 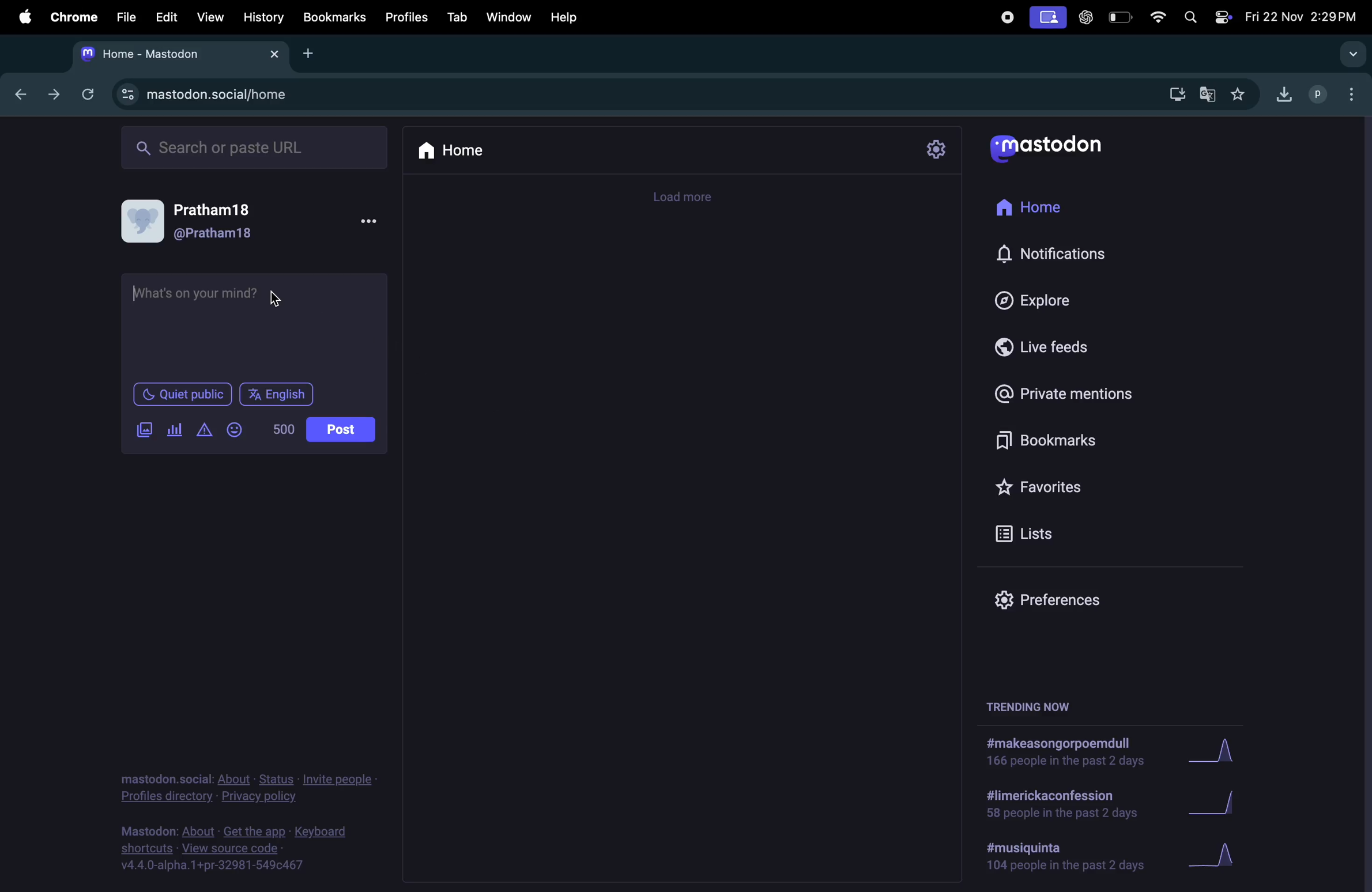 I want to click on download, so click(x=1175, y=95).